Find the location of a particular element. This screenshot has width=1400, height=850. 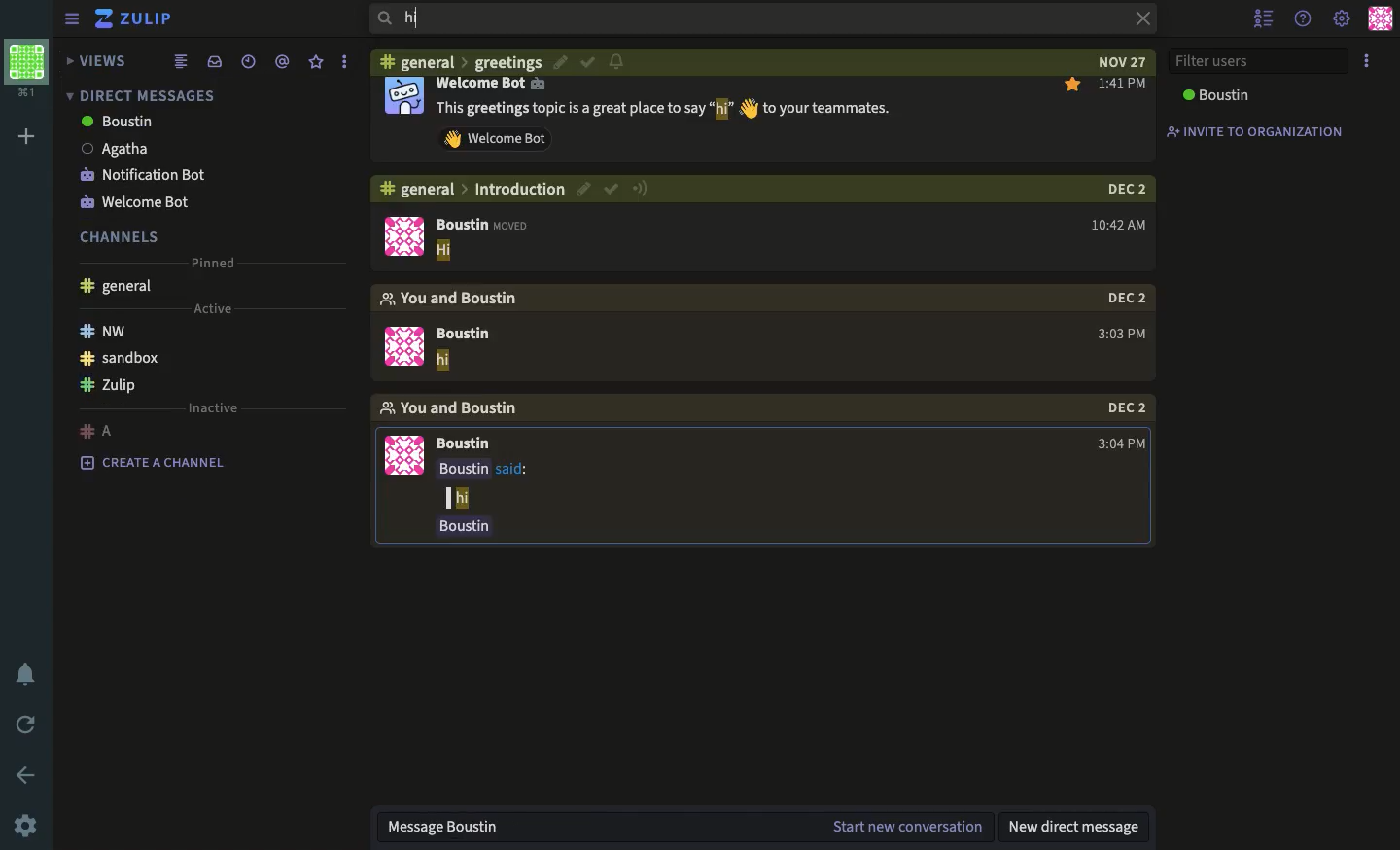

follow is located at coordinates (640, 190).